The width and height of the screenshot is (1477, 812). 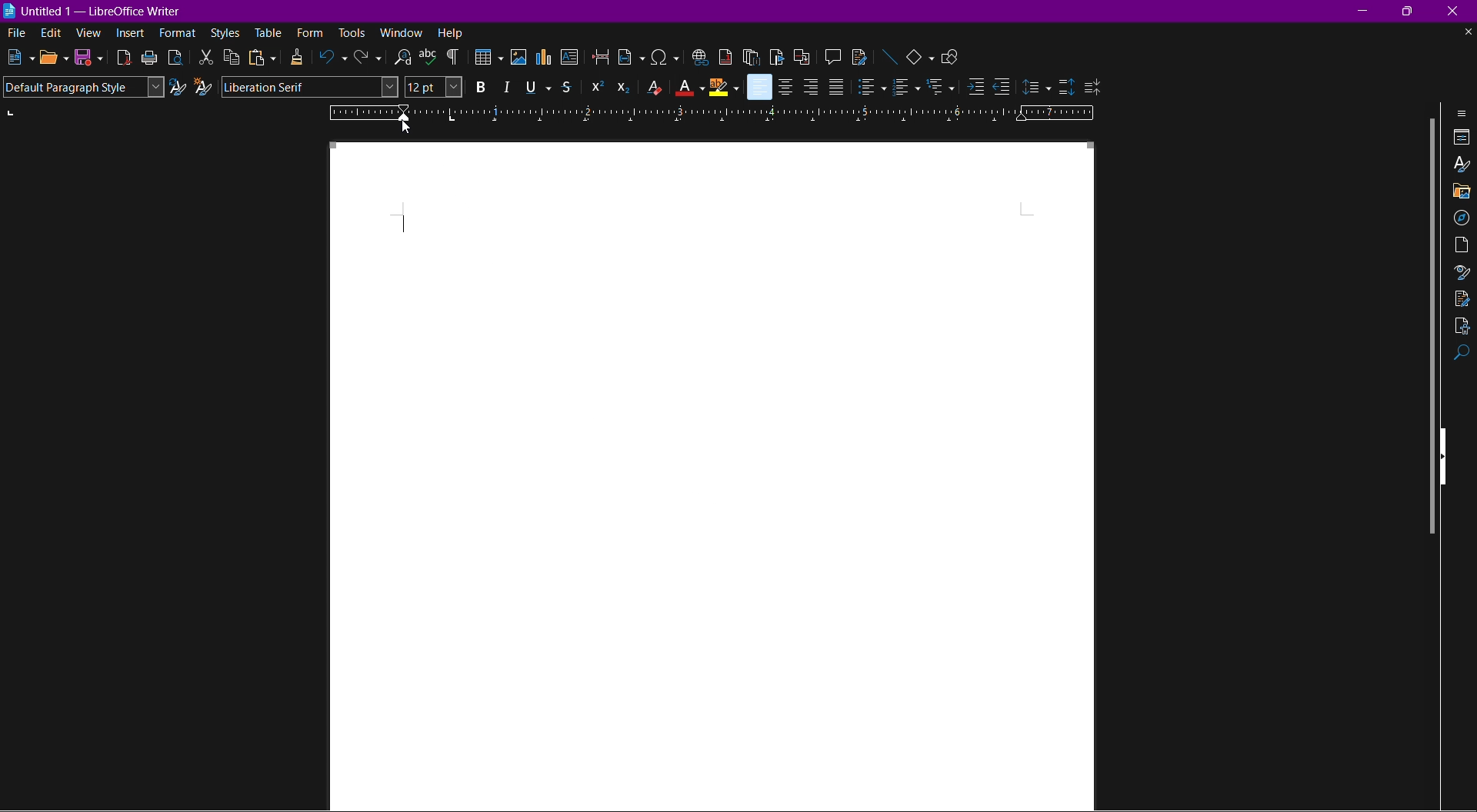 I want to click on table, so click(x=269, y=32).